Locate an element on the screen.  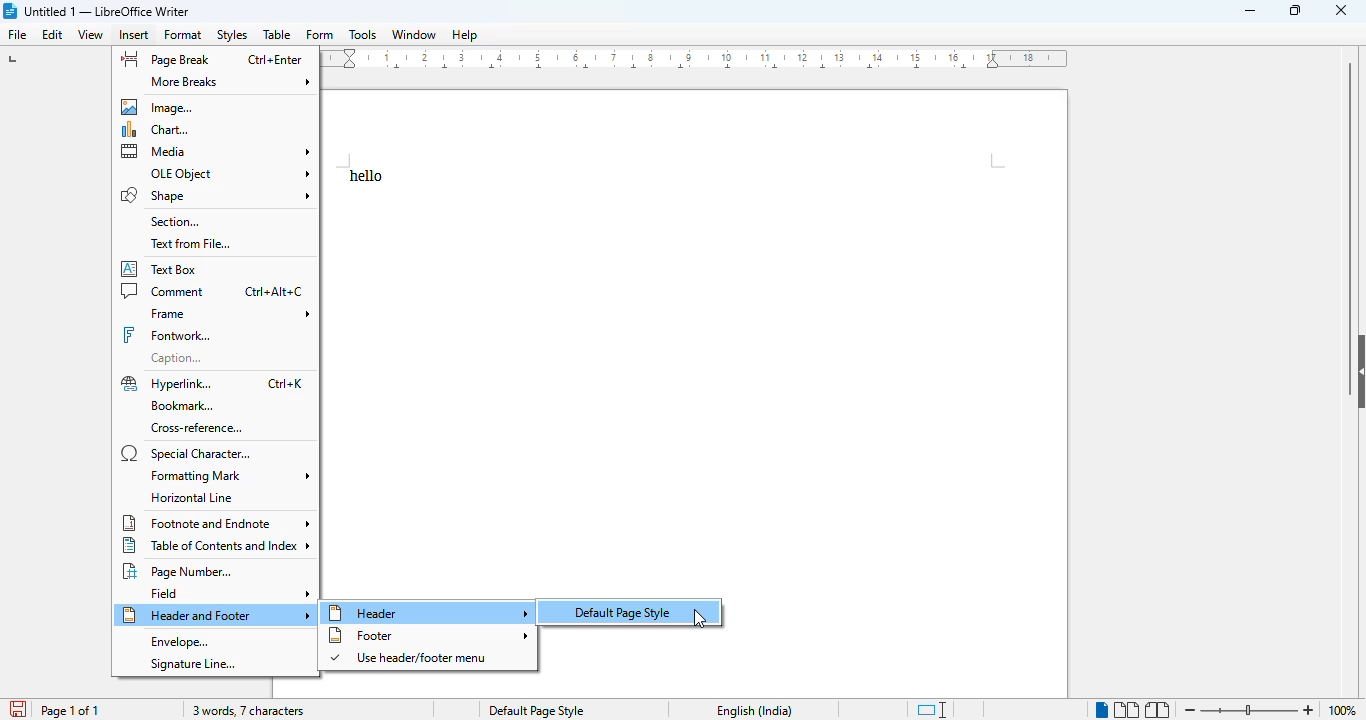
frame is located at coordinates (229, 314).